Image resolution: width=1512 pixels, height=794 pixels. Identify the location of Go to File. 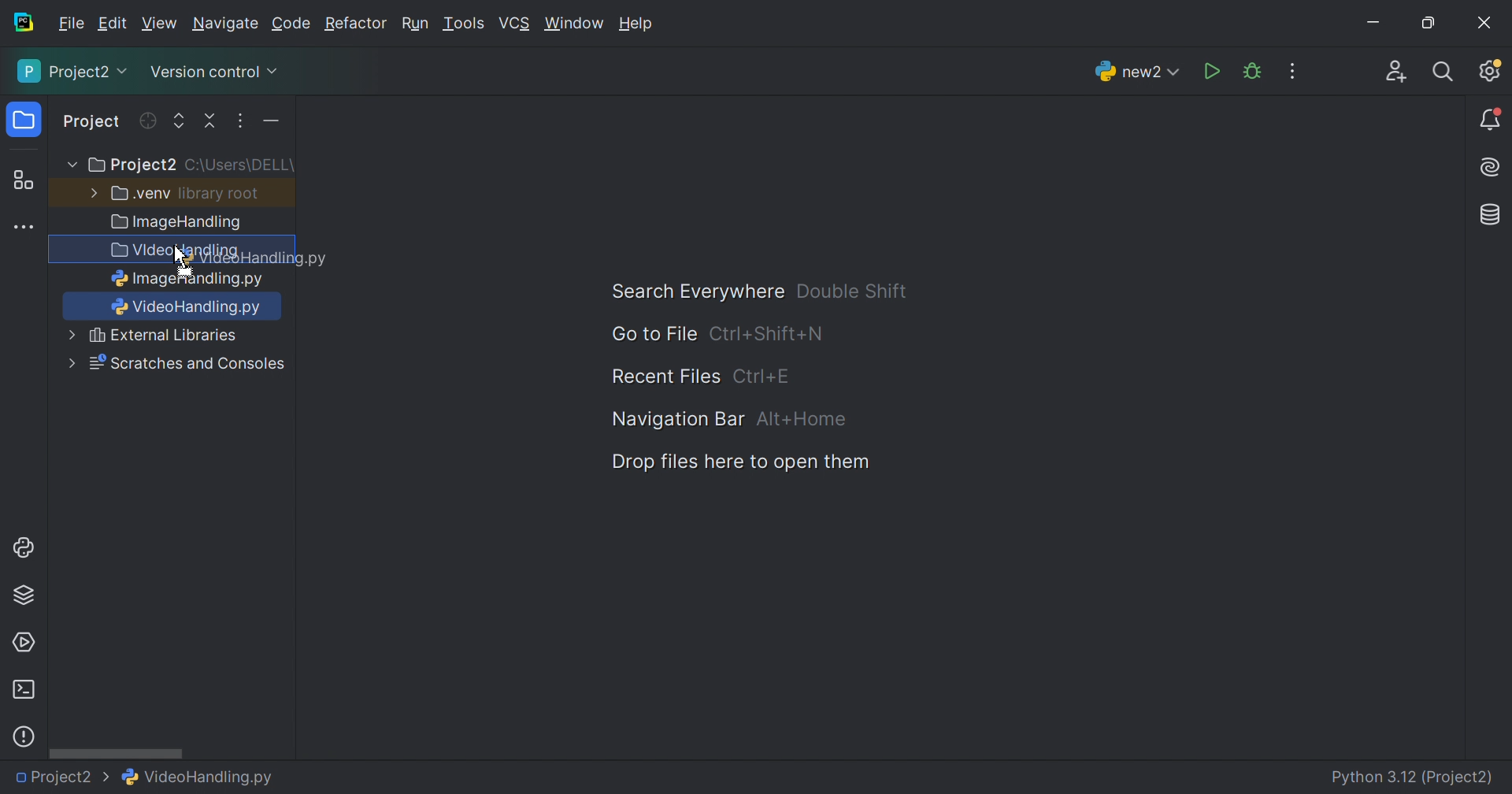
(653, 334).